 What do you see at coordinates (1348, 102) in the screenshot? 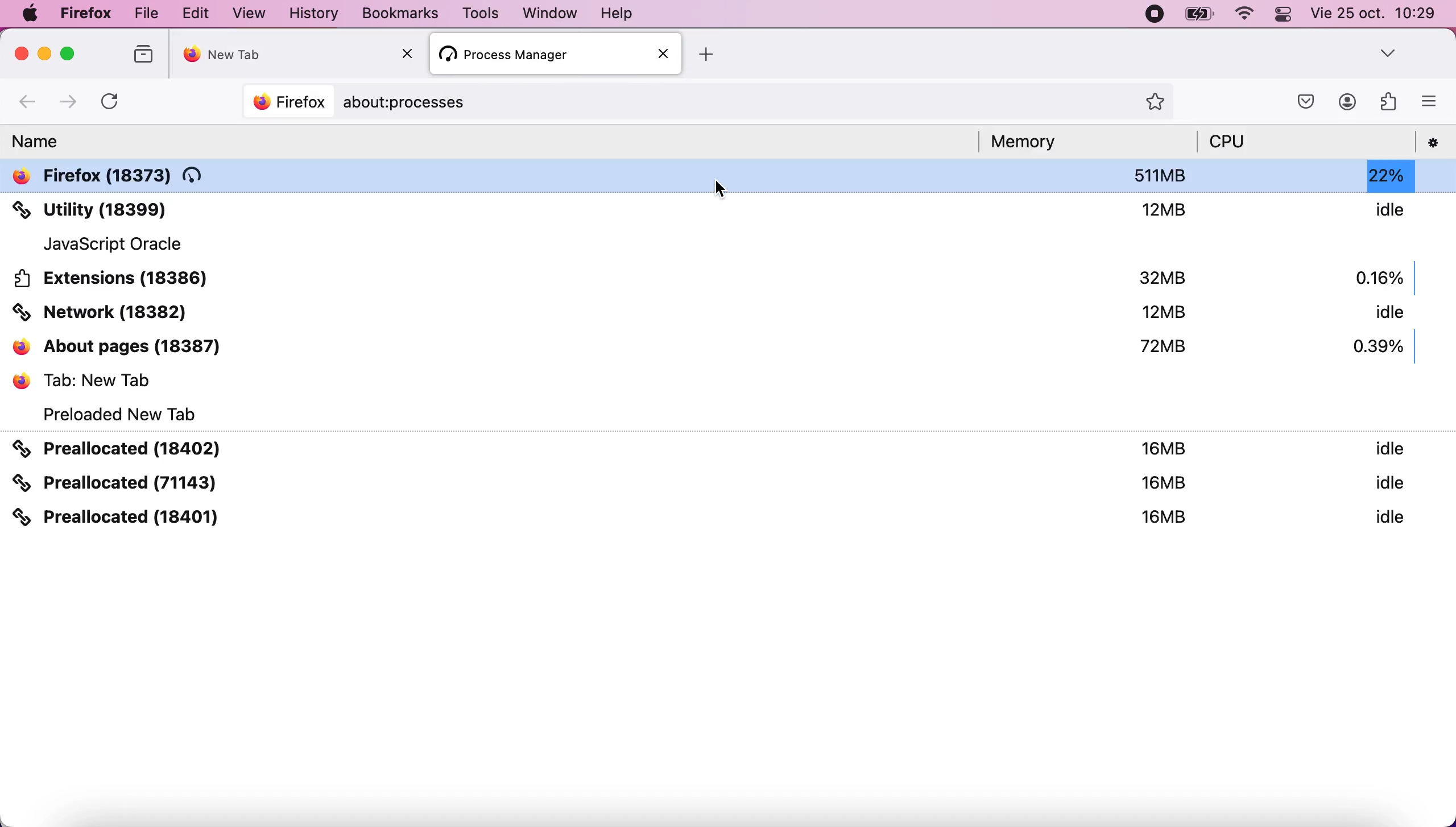
I see `Profile` at bounding box center [1348, 102].